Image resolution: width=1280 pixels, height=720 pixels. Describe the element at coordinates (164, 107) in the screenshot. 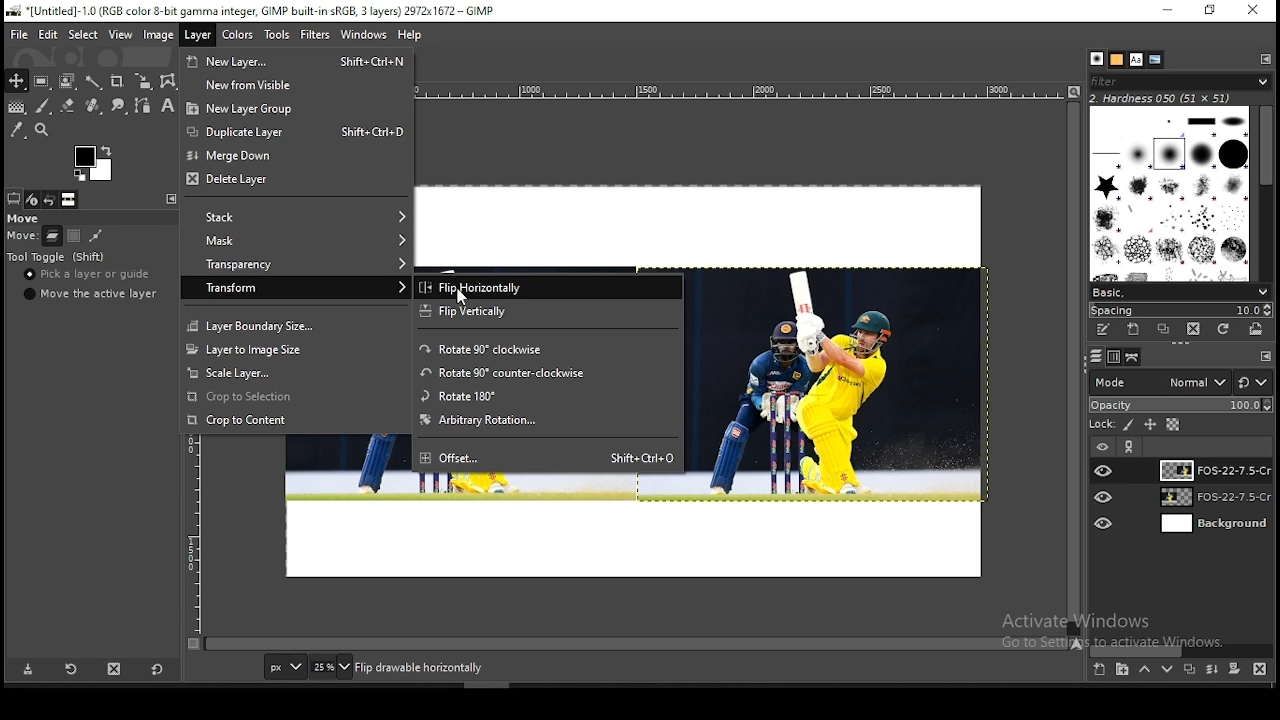

I see `text tool` at that location.